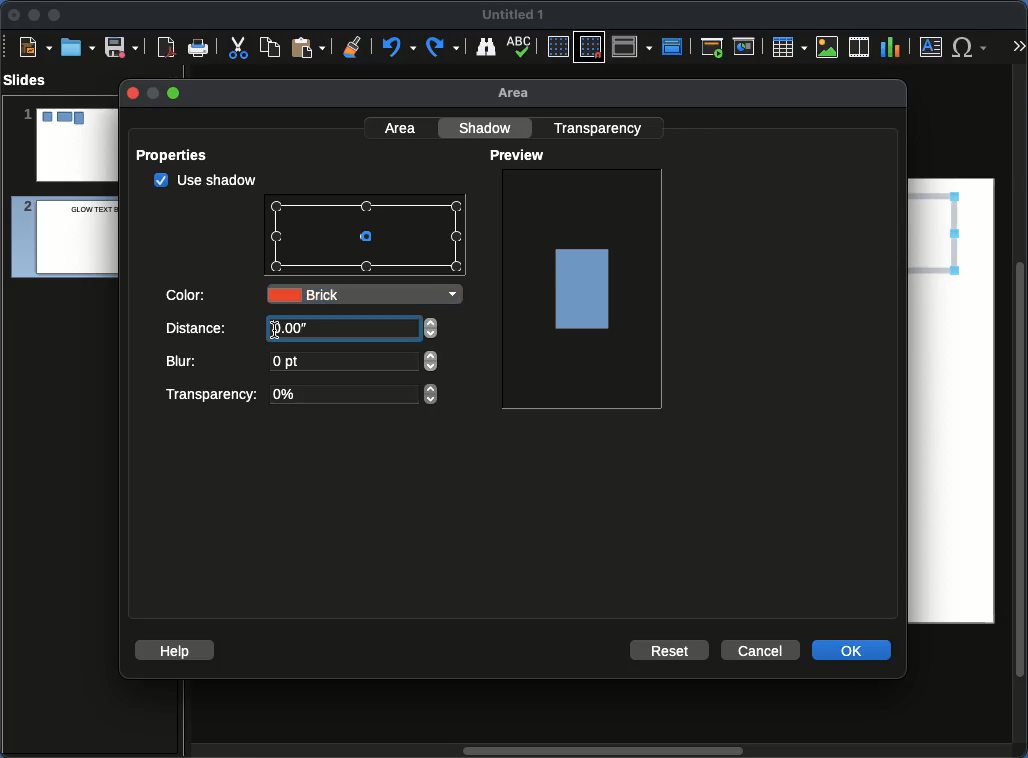  I want to click on New, so click(35, 46).